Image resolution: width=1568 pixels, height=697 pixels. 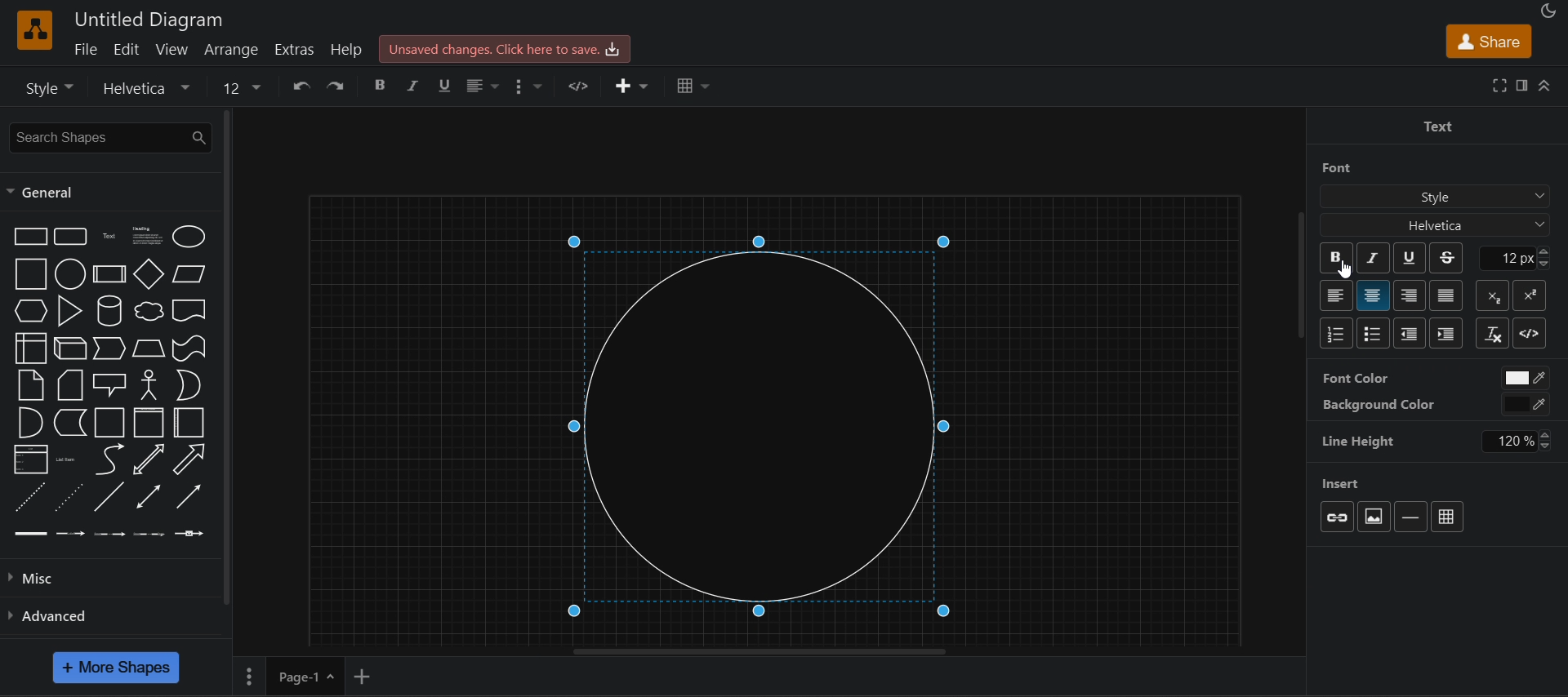 I want to click on white color, so click(x=1525, y=376).